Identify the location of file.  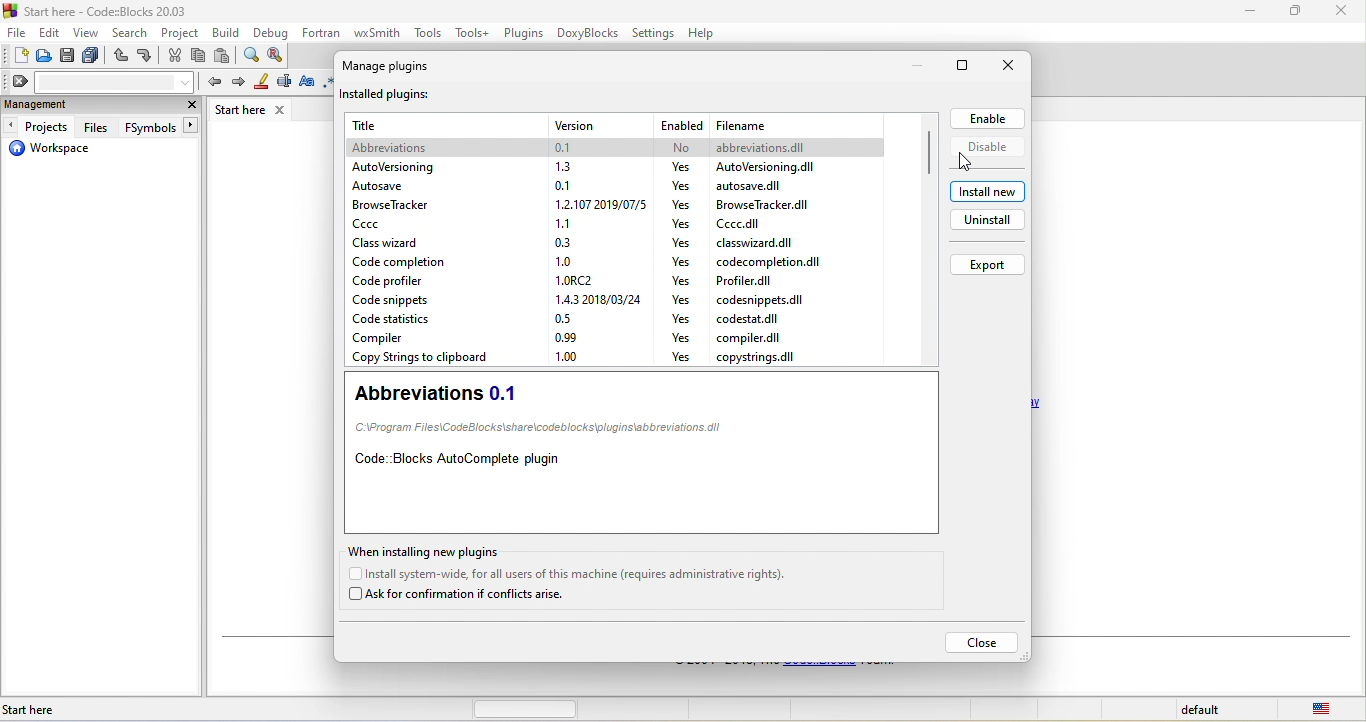
(773, 166).